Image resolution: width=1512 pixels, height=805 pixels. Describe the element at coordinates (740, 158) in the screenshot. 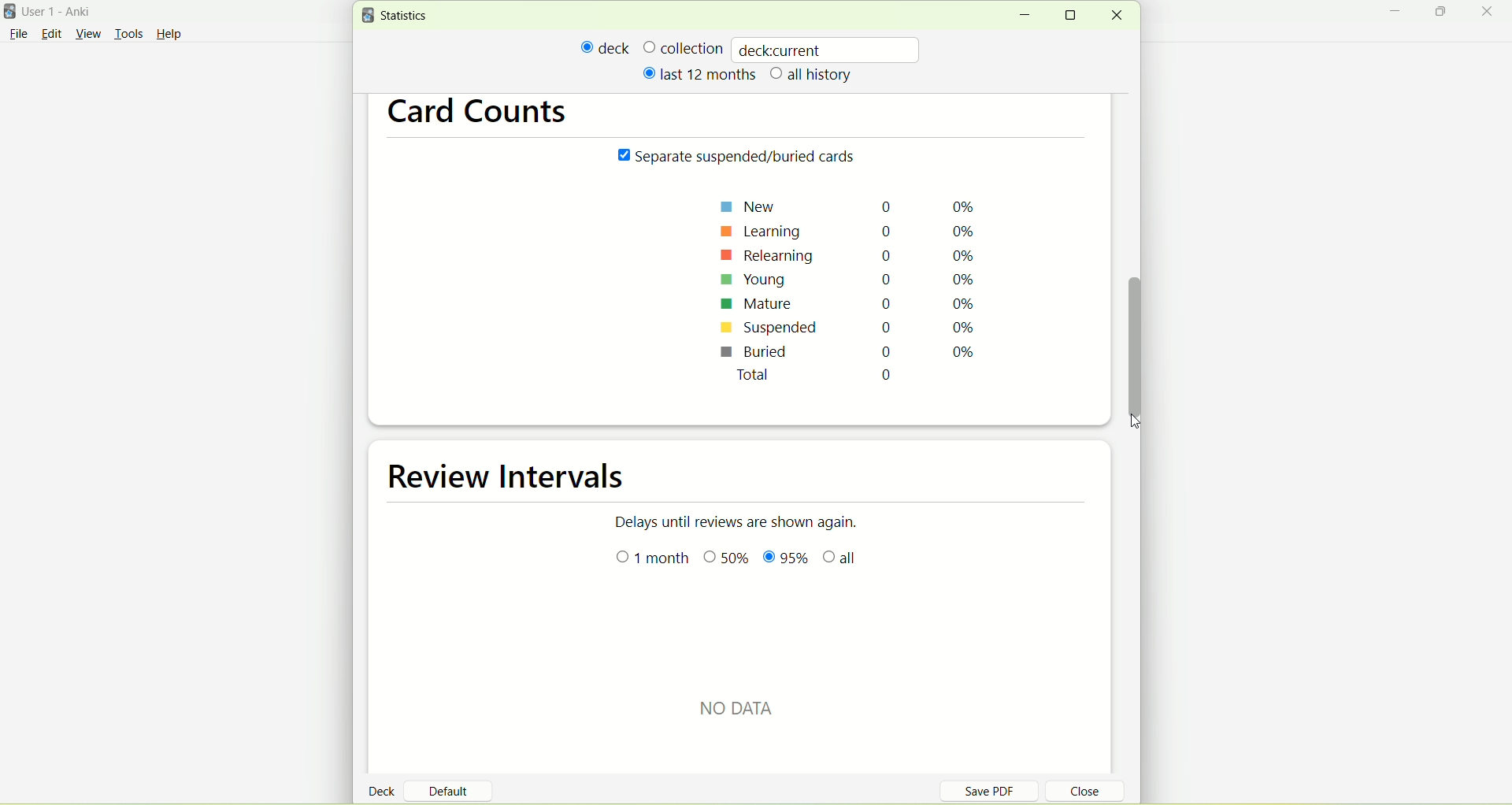

I see `Separate suspended/buried cards` at that location.